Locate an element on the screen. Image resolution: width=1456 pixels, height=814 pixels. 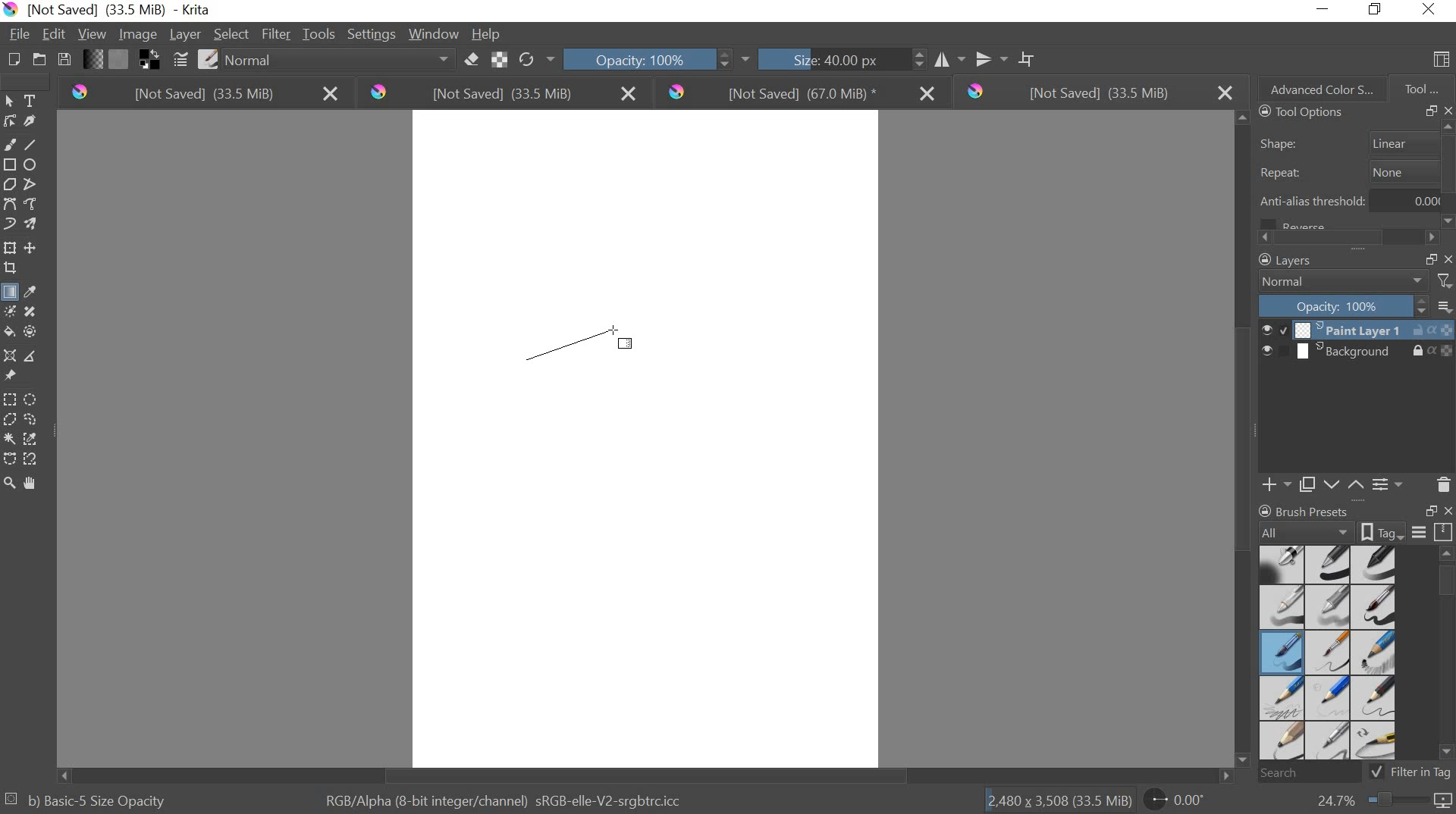
[not saved] (33.5 mb) is located at coordinates (1096, 92).